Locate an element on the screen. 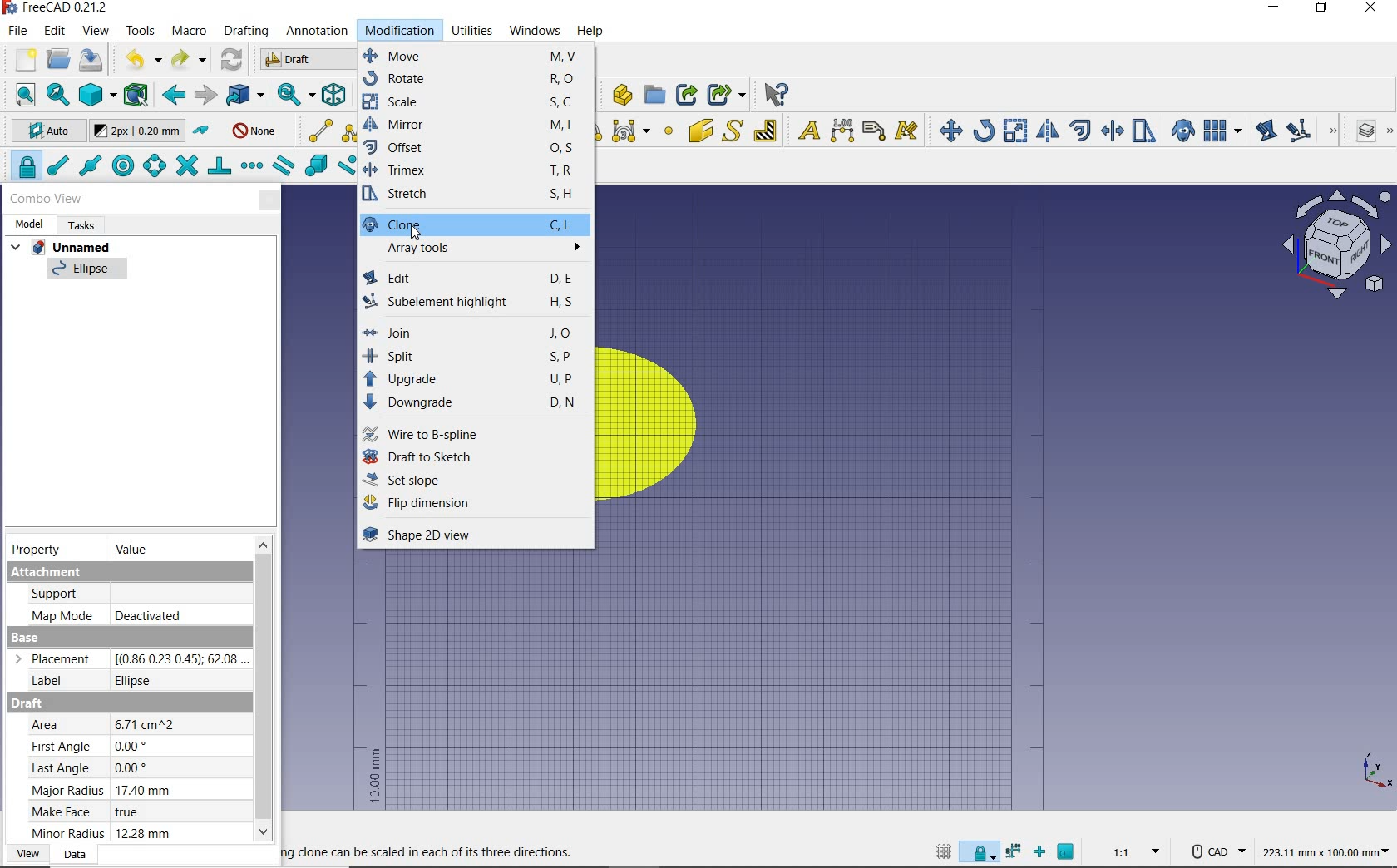  undo is located at coordinates (138, 61).